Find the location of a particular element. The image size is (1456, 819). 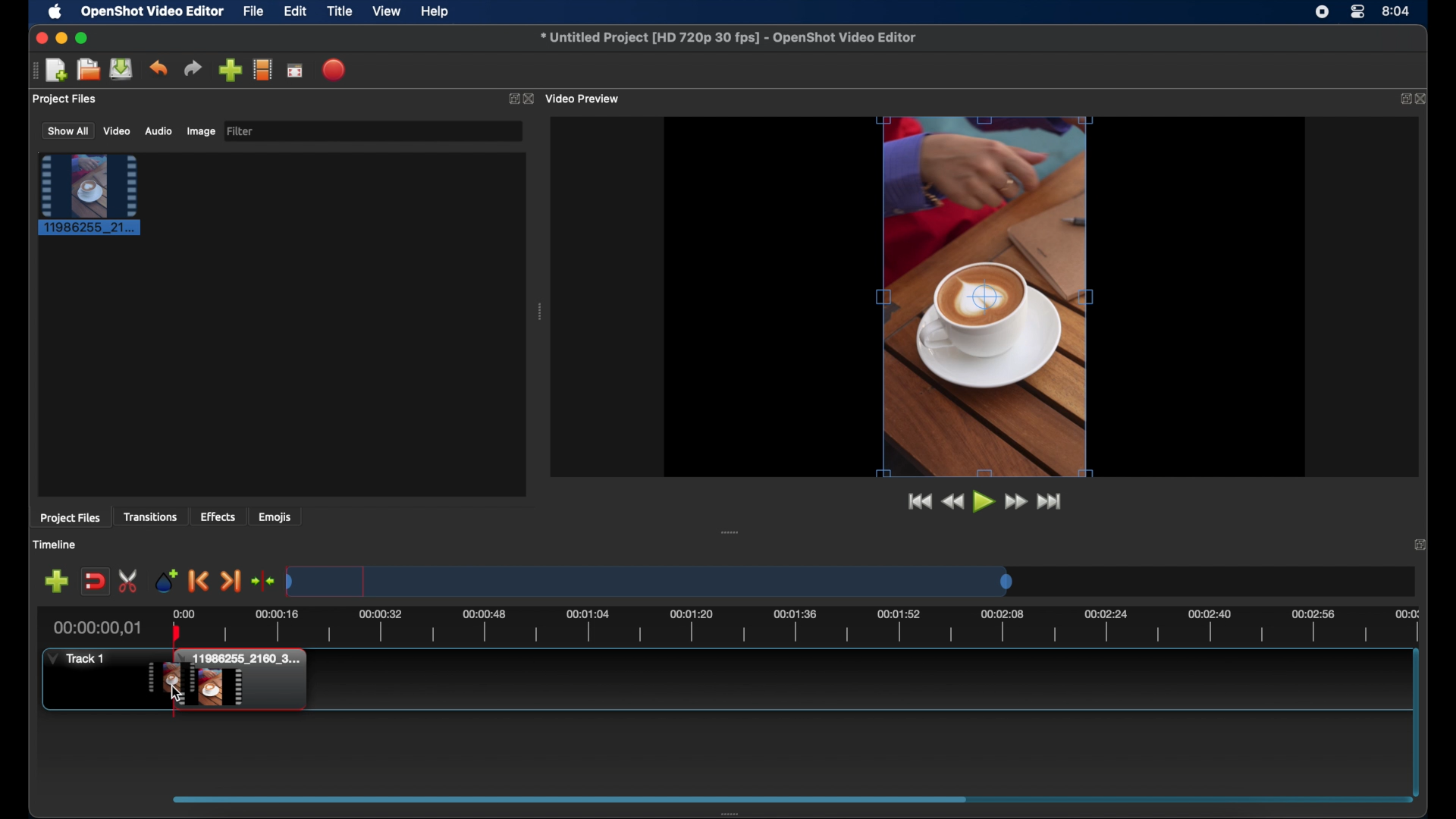

export video is located at coordinates (335, 70).